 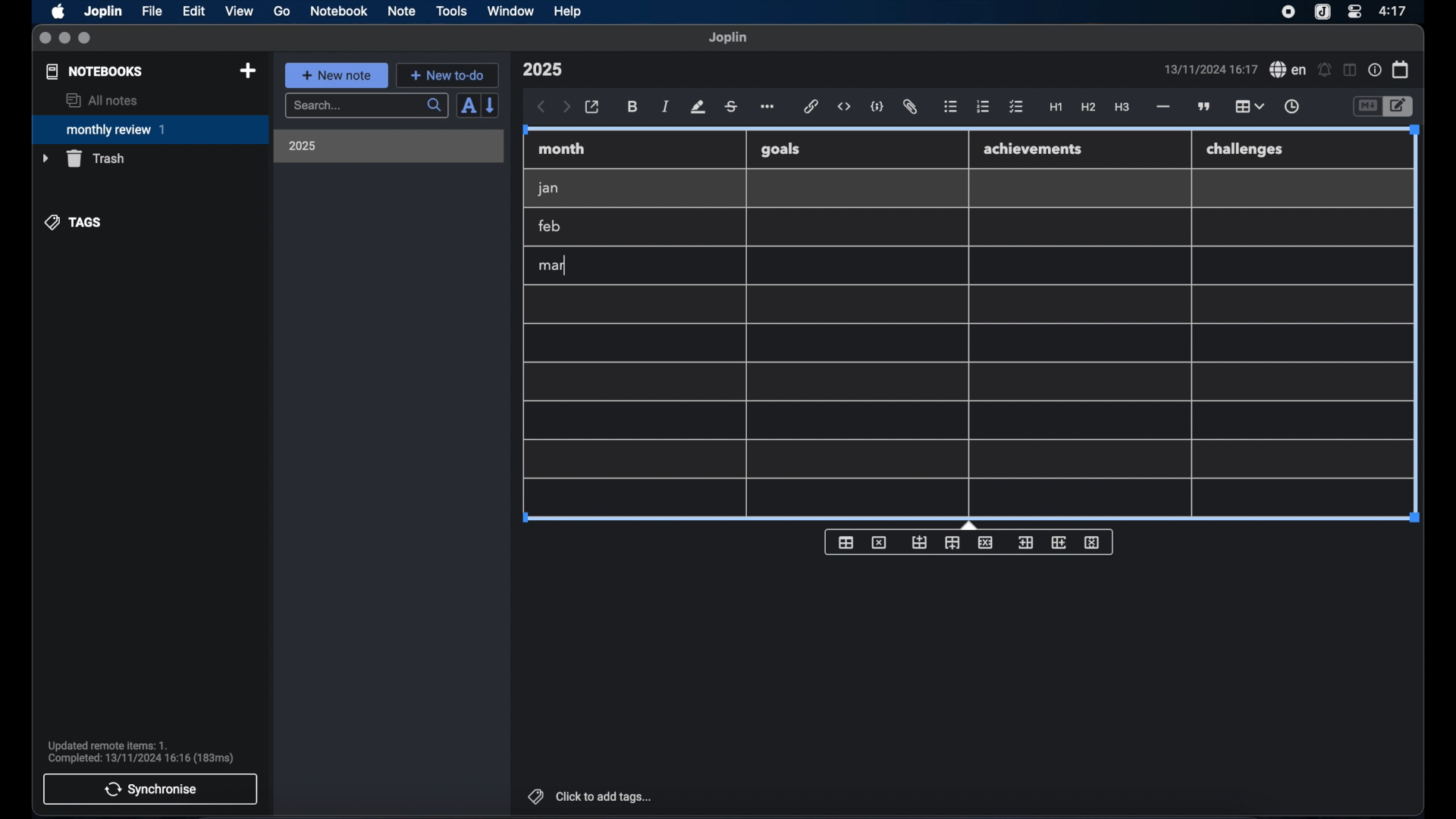 What do you see at coordinates (566, 108) in the screenshot?
I see `forward` at bounding box center [566, 108].